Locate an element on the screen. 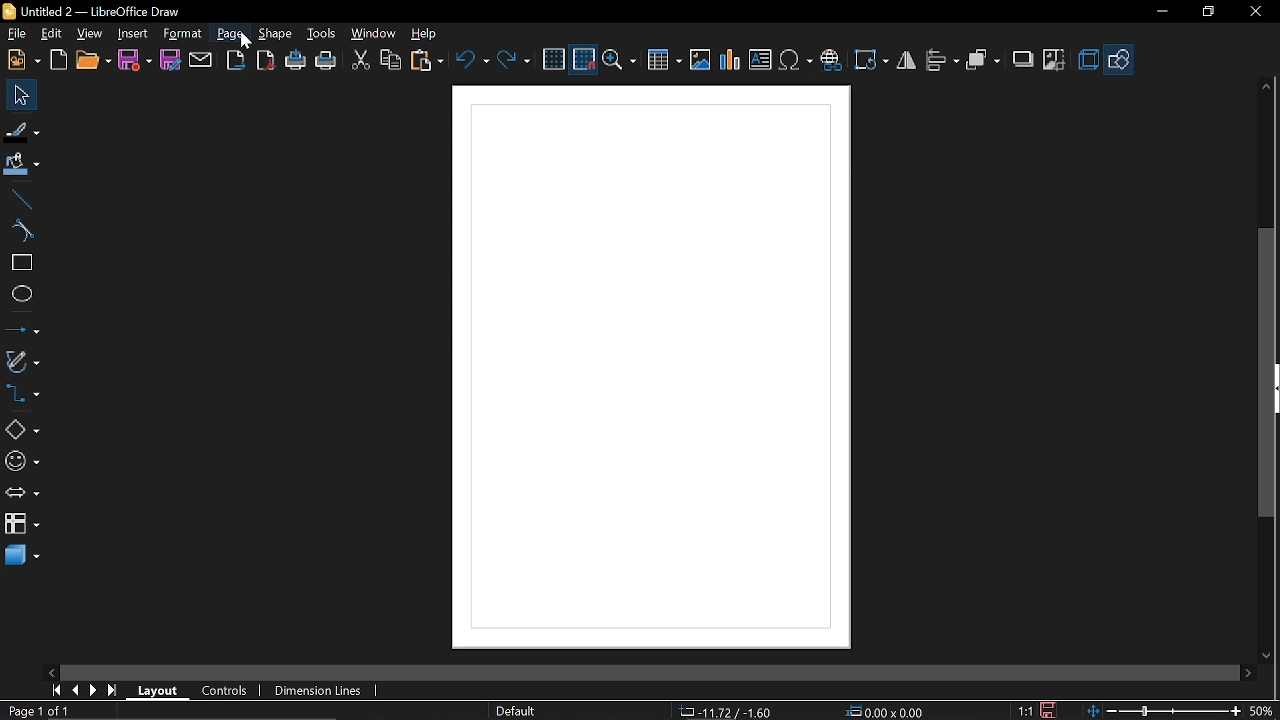 The width and height of the screenshot is (1280, 720). Lines and arrows is located at coordinates (21, 329).